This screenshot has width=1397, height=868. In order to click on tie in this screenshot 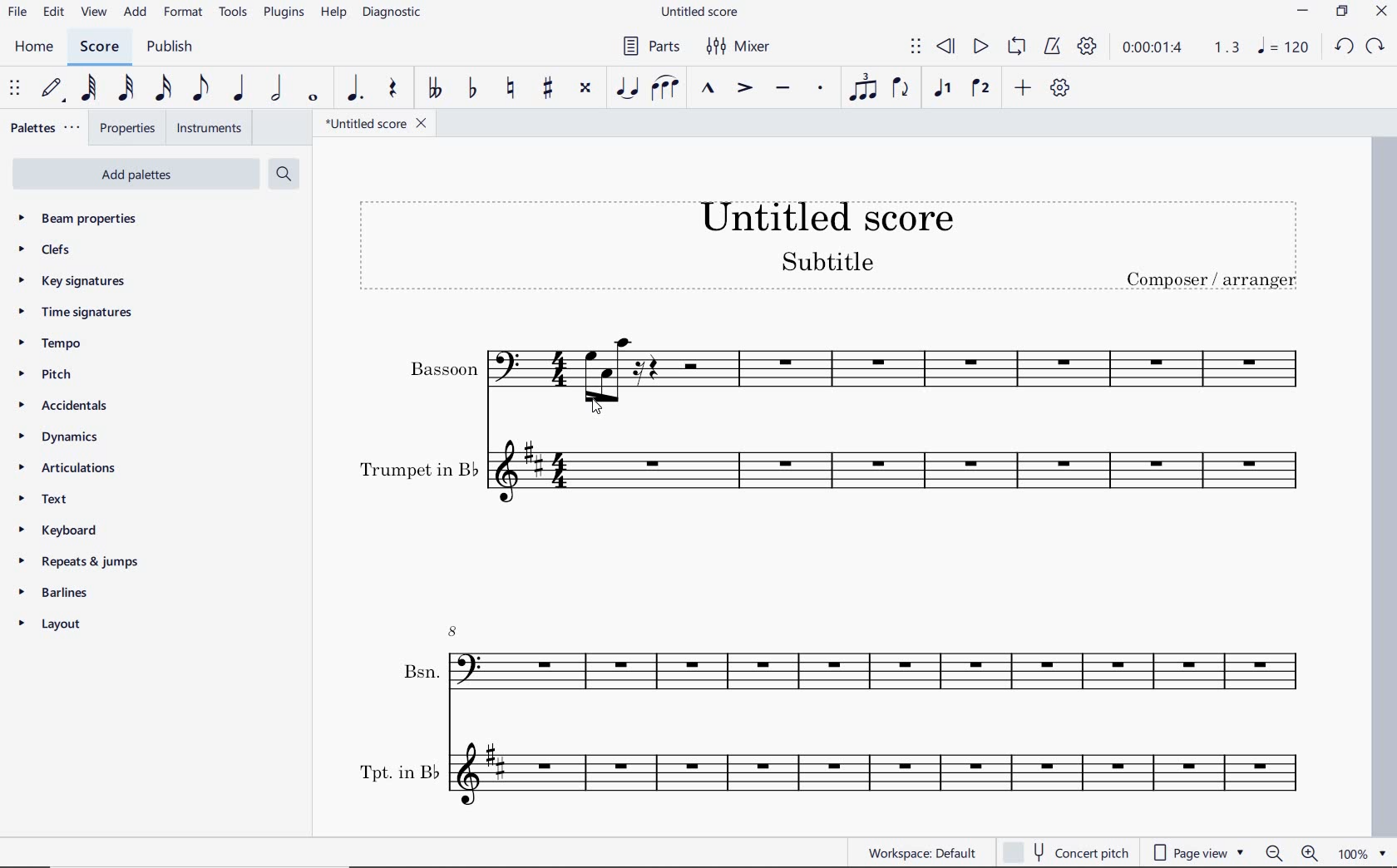, I will do `click(628, 89)`.